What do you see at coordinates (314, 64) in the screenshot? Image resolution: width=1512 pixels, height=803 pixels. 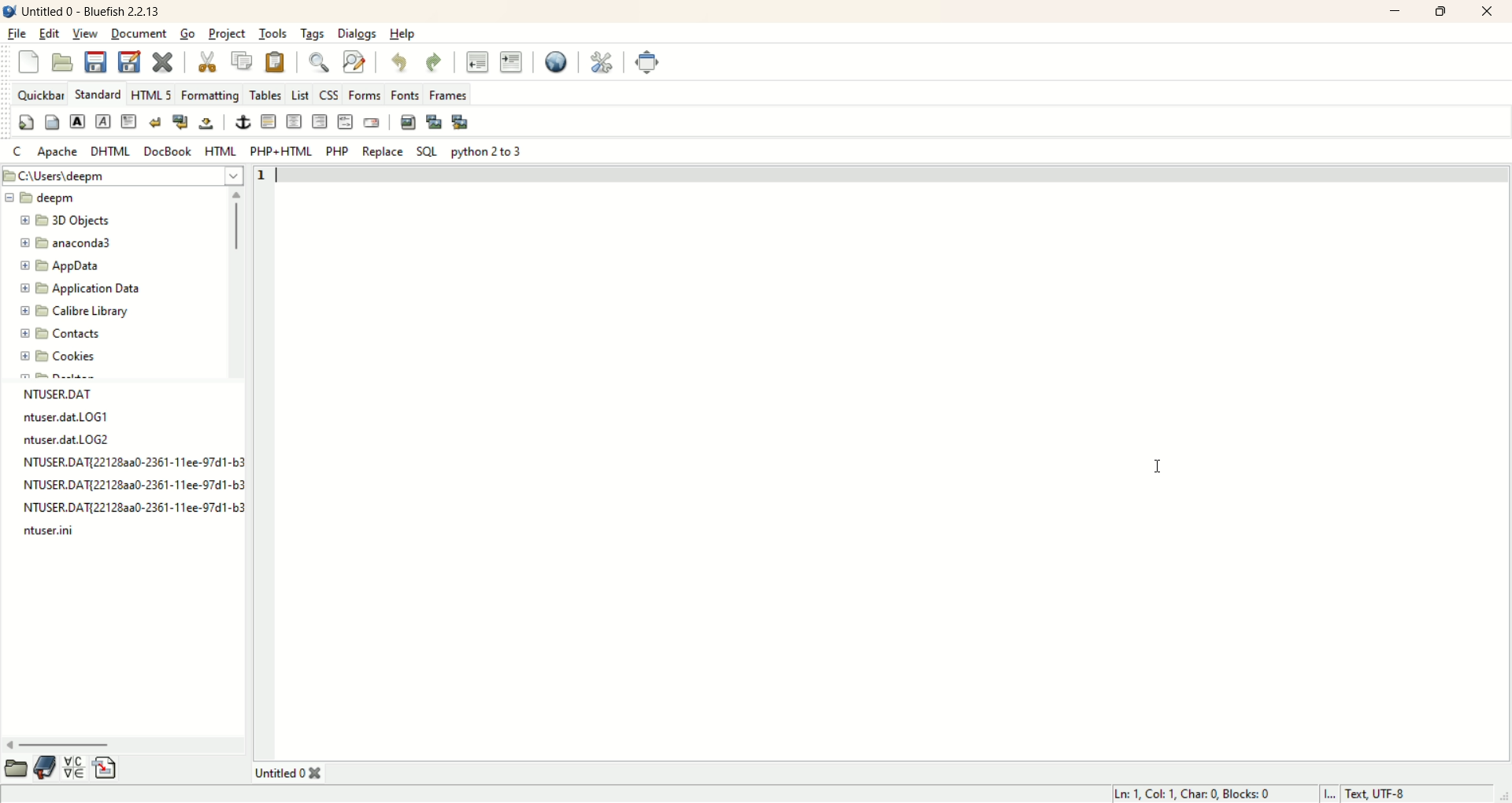 I see `find` at bounding box center [314, 64].